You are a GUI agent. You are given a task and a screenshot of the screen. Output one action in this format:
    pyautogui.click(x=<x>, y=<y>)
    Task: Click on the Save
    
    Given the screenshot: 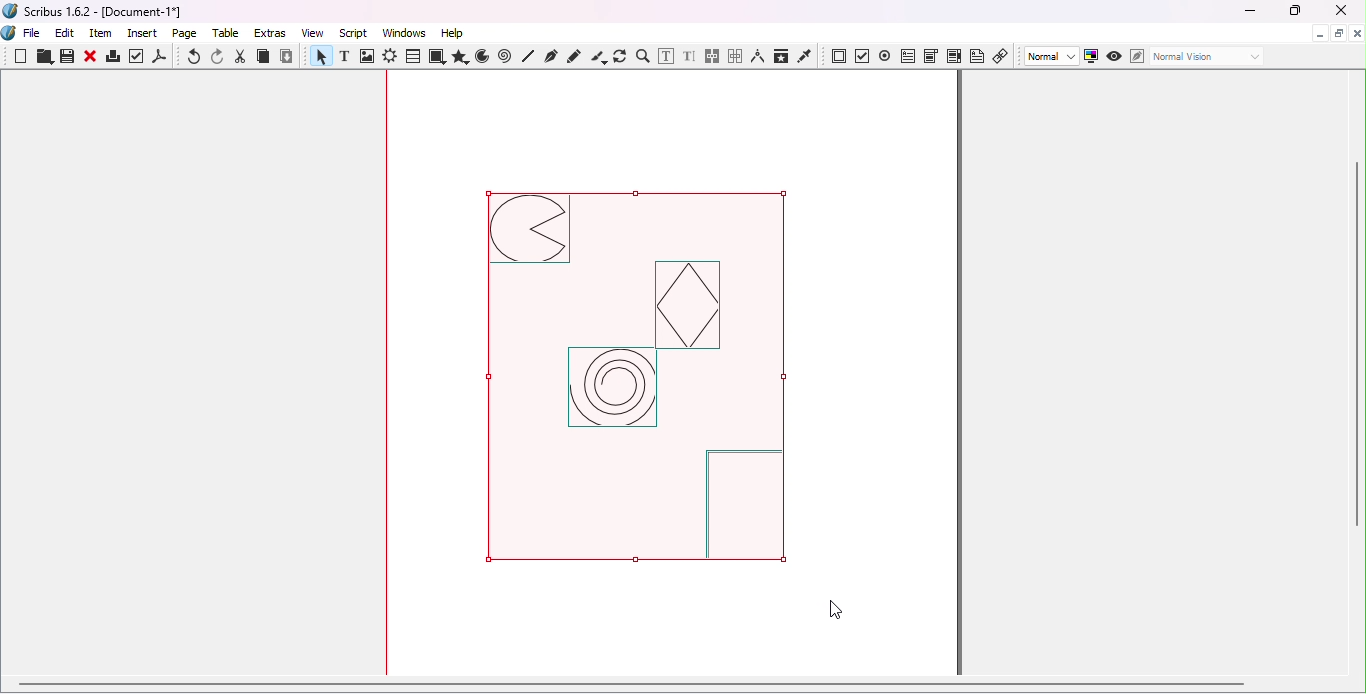 What is the action you would take?
    pyautogui.click(x=65, y=57)
    